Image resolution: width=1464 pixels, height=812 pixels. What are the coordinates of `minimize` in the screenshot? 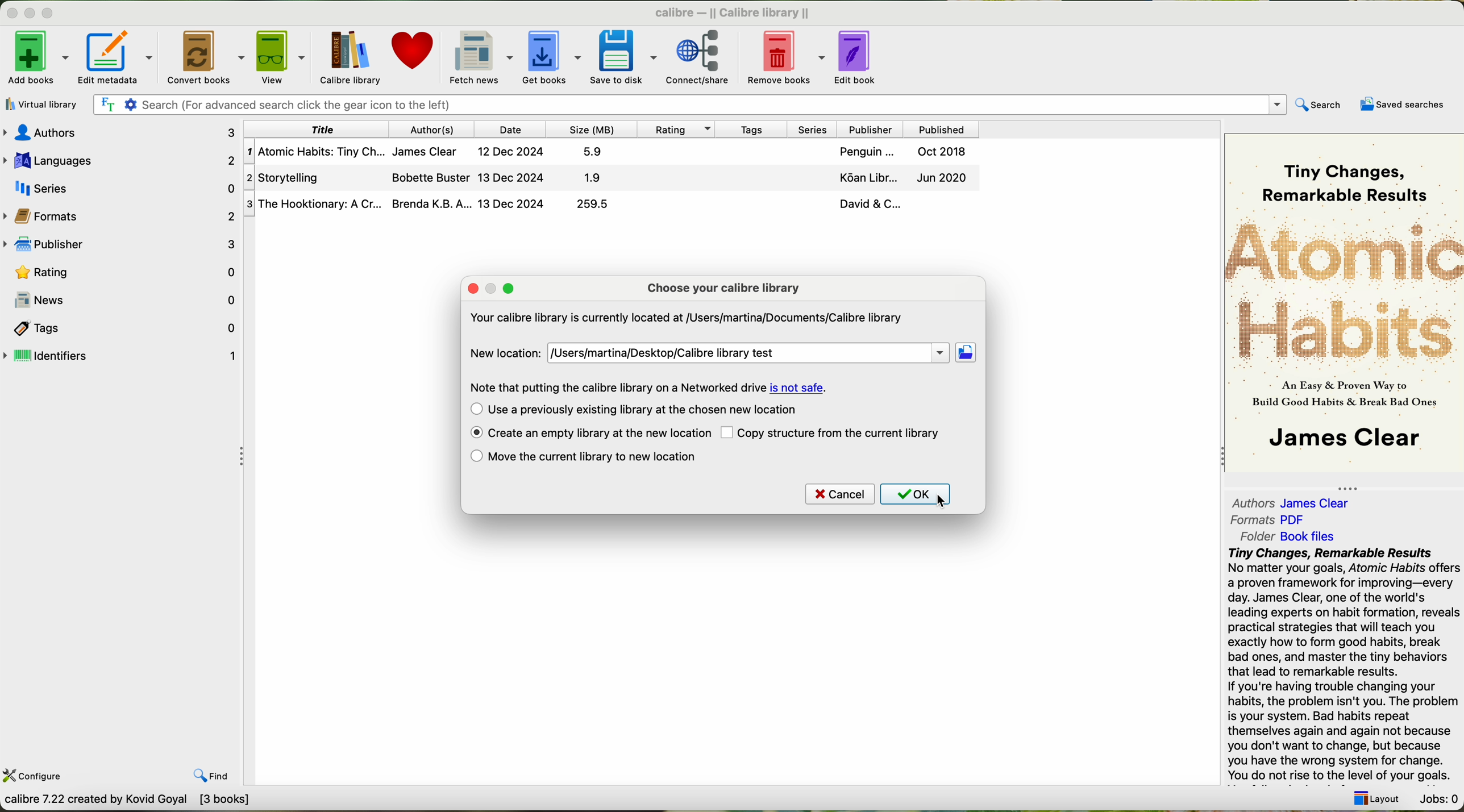 It's located at (495, 289).